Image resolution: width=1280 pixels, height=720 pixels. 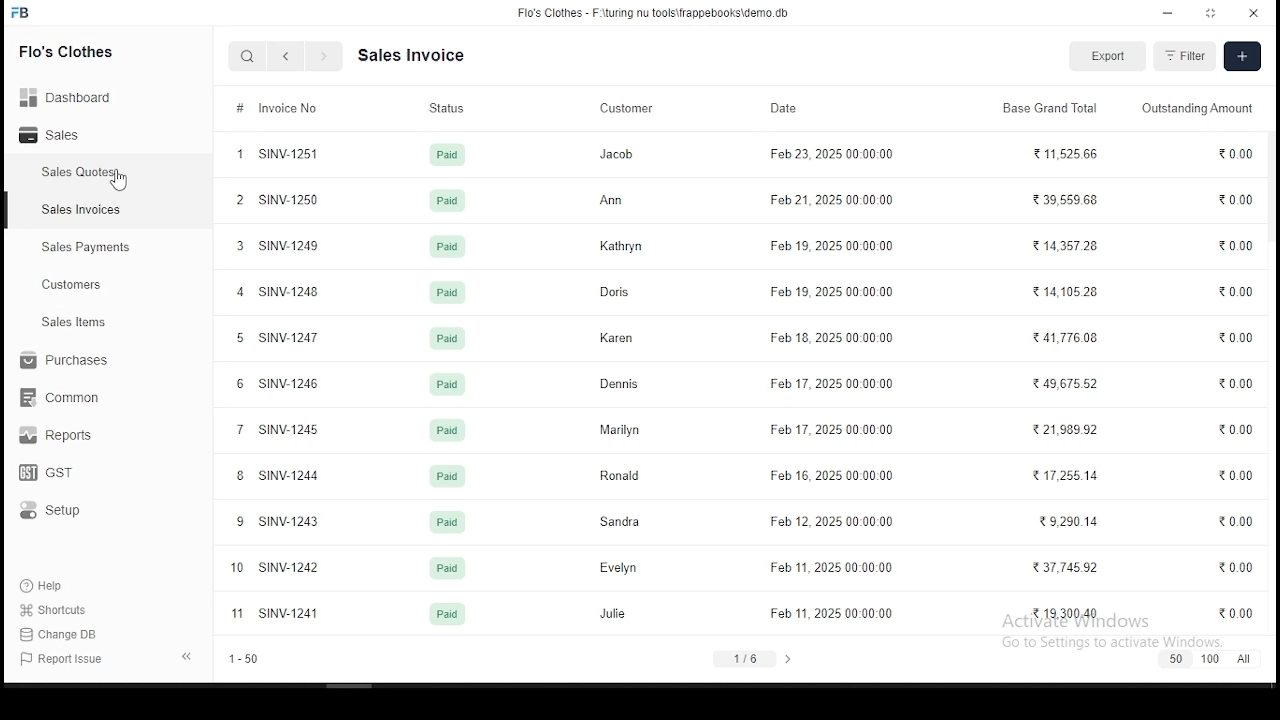 What do you see at coordinates (281, 291) in the screenshot?
I see `4 SINV-1248` at bounding box center [281, 291].